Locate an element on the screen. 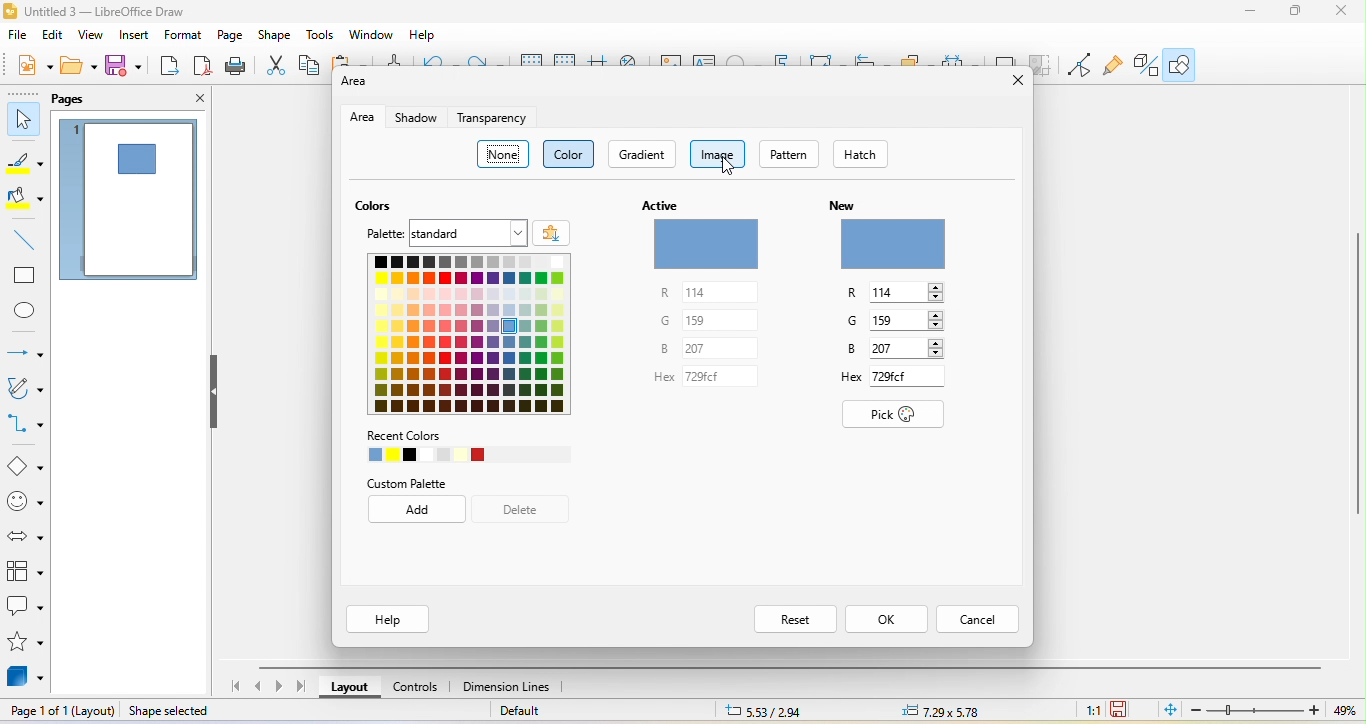 The height and width of the screenshot is (724, 1366). show draw function is located at coordinates (1185, 67).